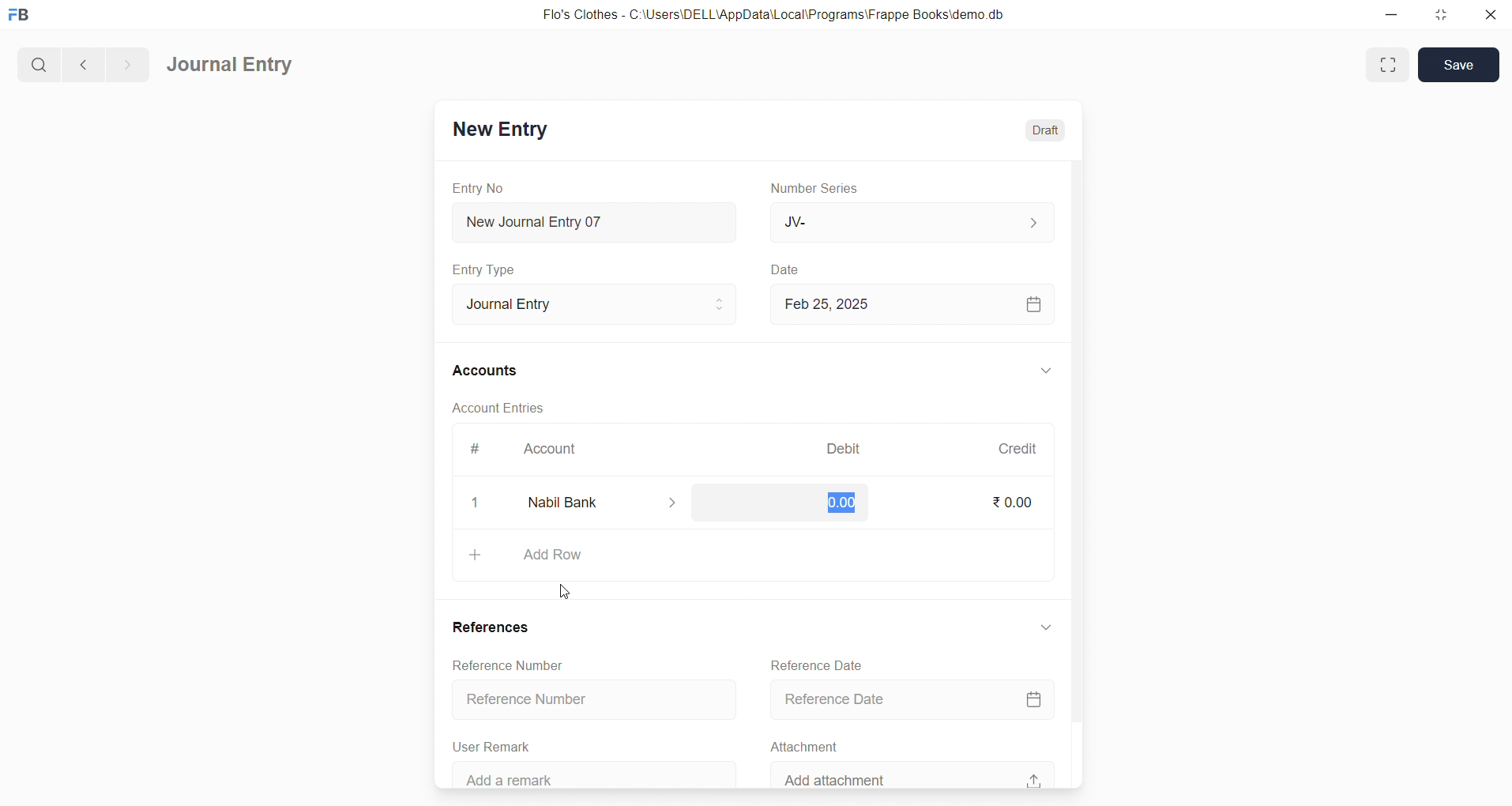  I want to click on expand/collapse, so click(1045, 371).